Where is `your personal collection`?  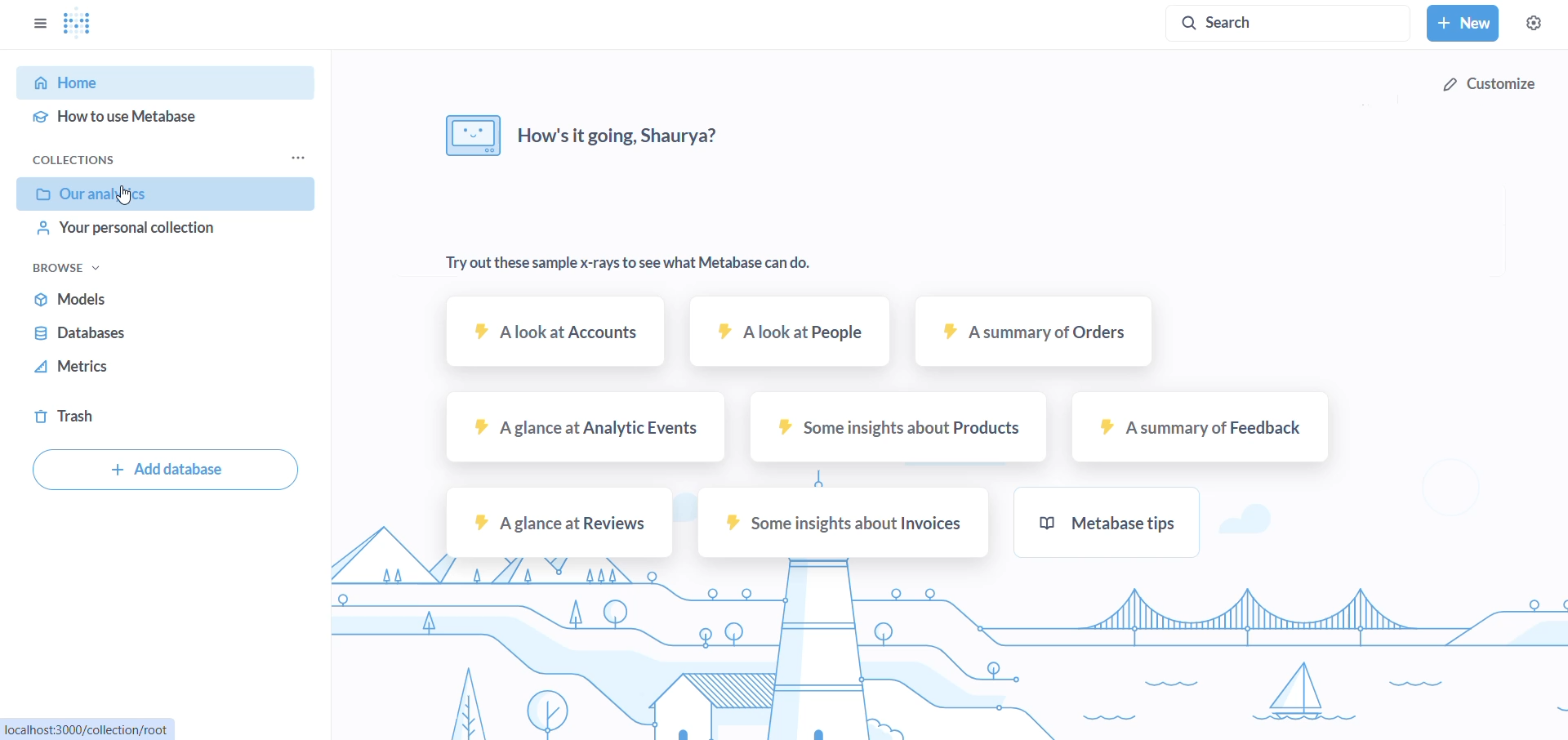 your personal collection is located at coordinates (154, 236).